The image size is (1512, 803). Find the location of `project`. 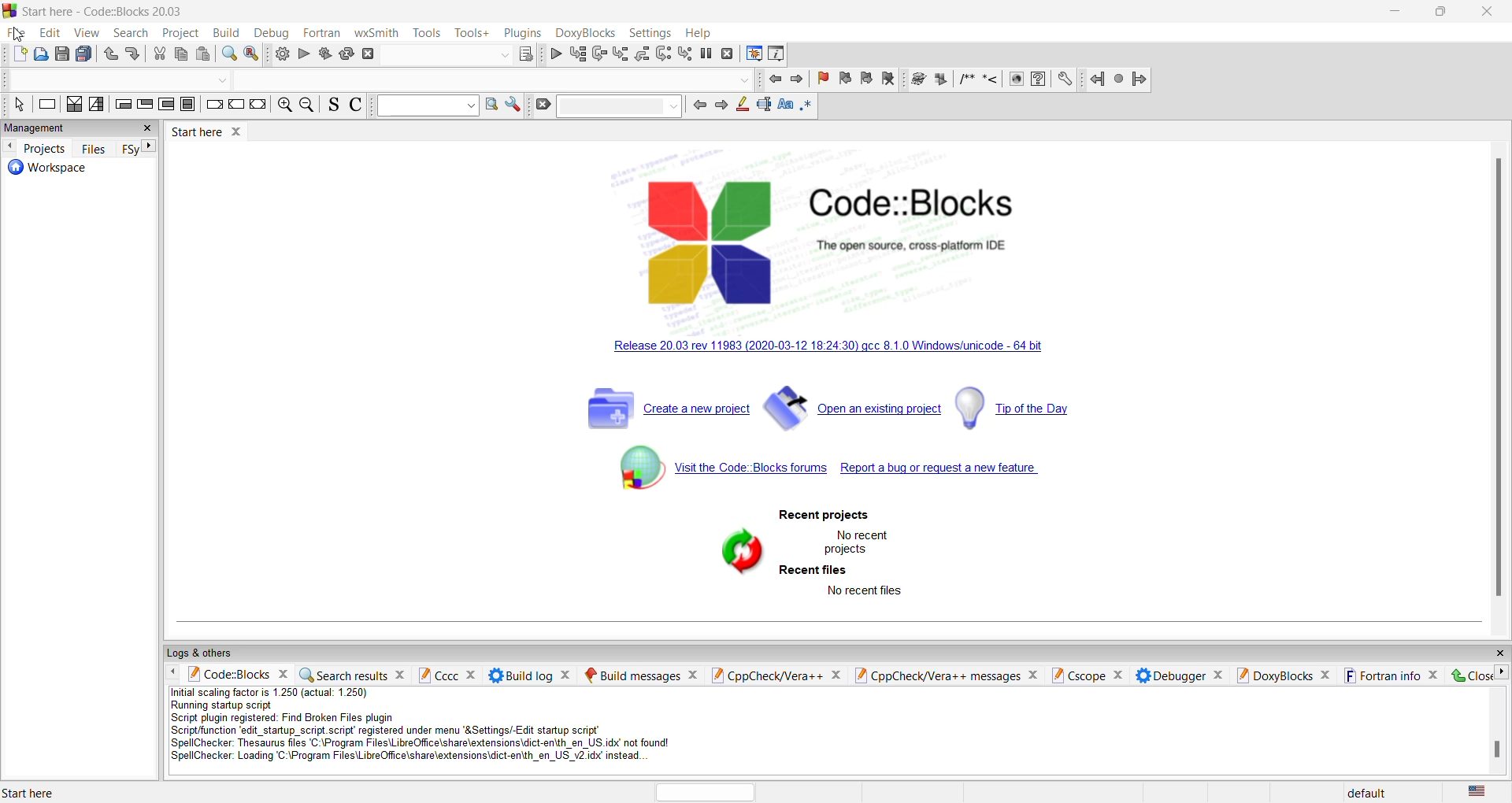

project is located at coordinates (183, 32).